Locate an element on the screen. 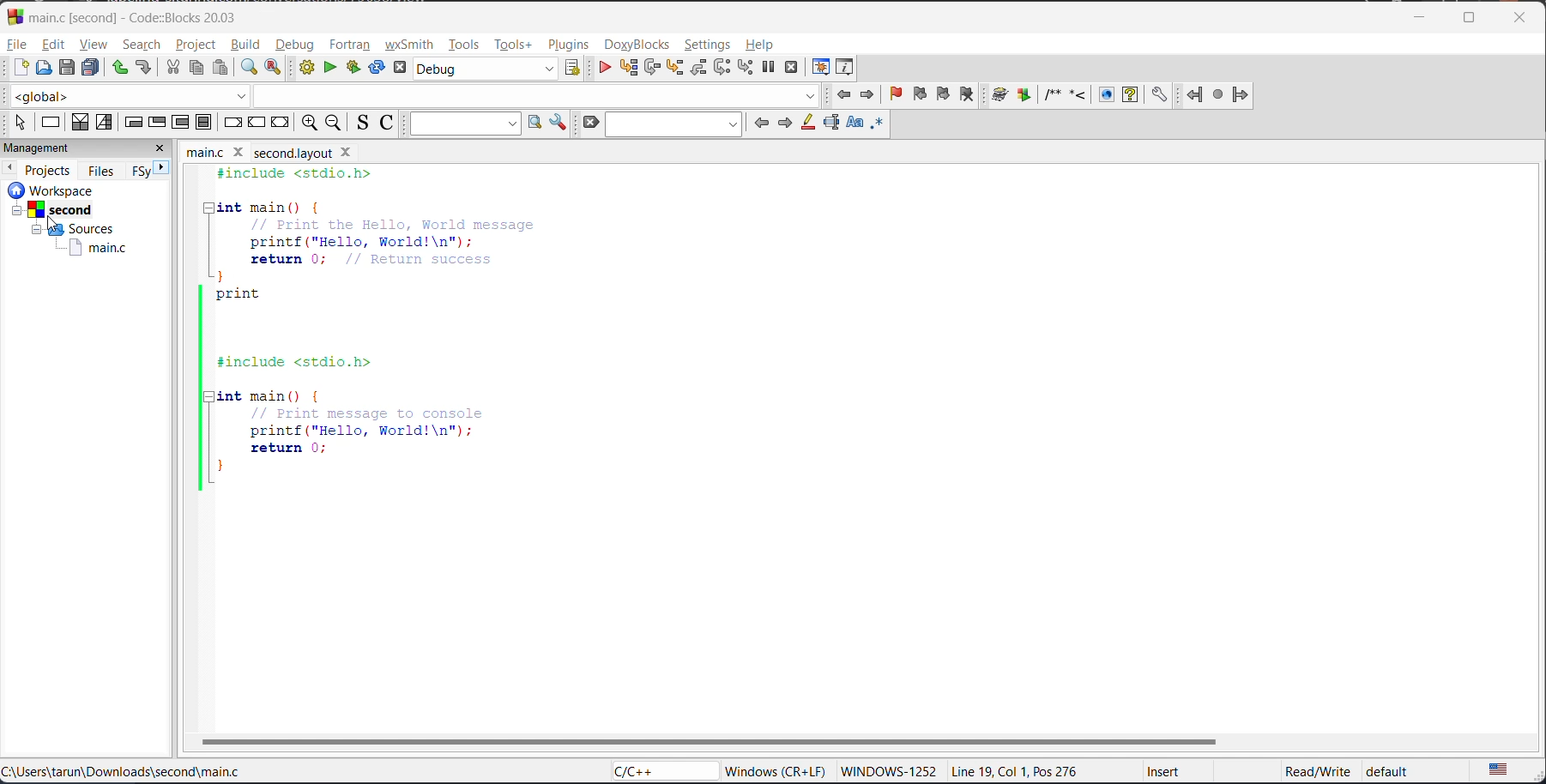  step into instruction is located at coordinates (745, 69).